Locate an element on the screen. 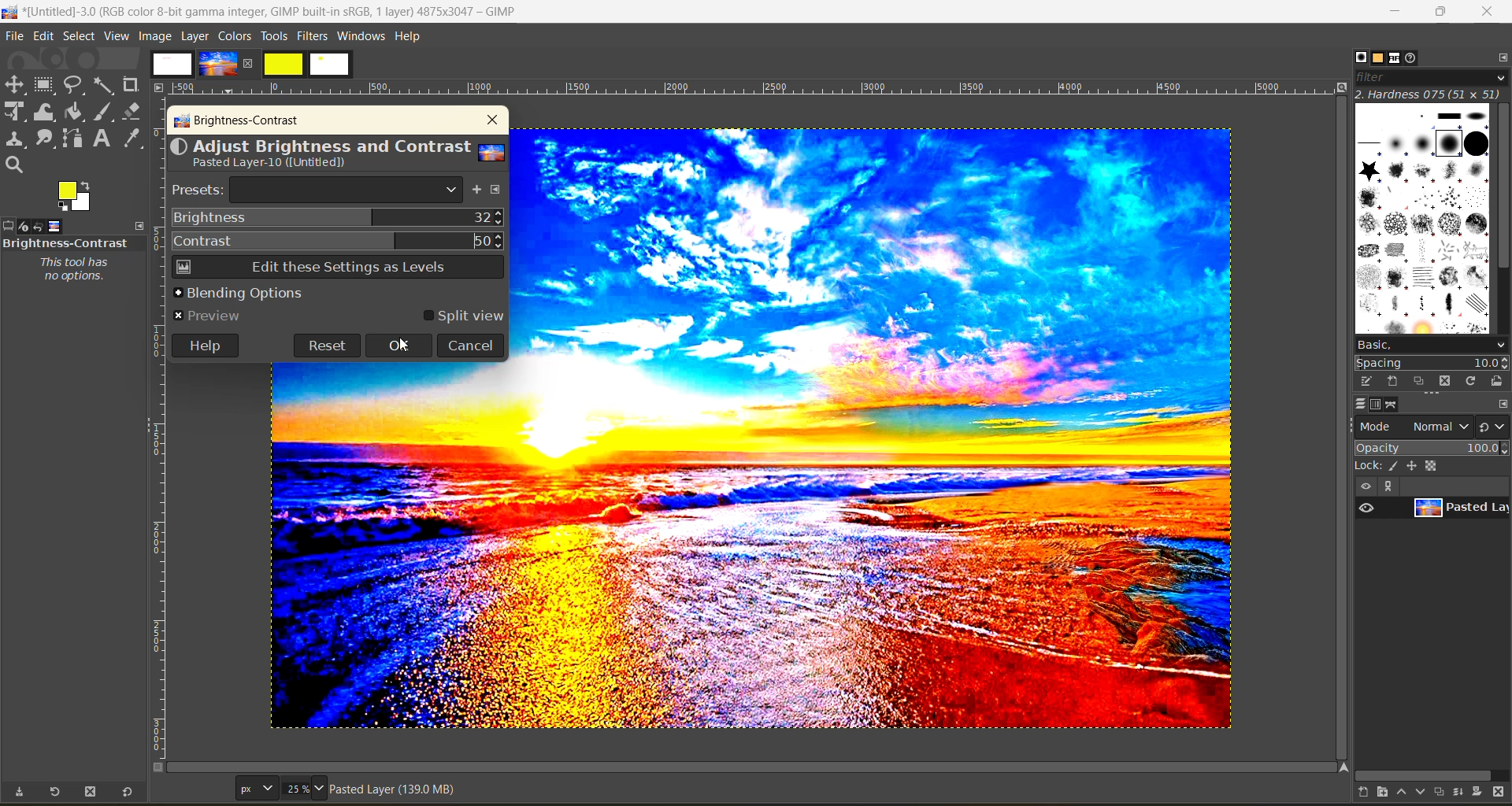 Image resolution: width=1512 pixels, height=806 pixels. help is located at coordinates (204, 344).